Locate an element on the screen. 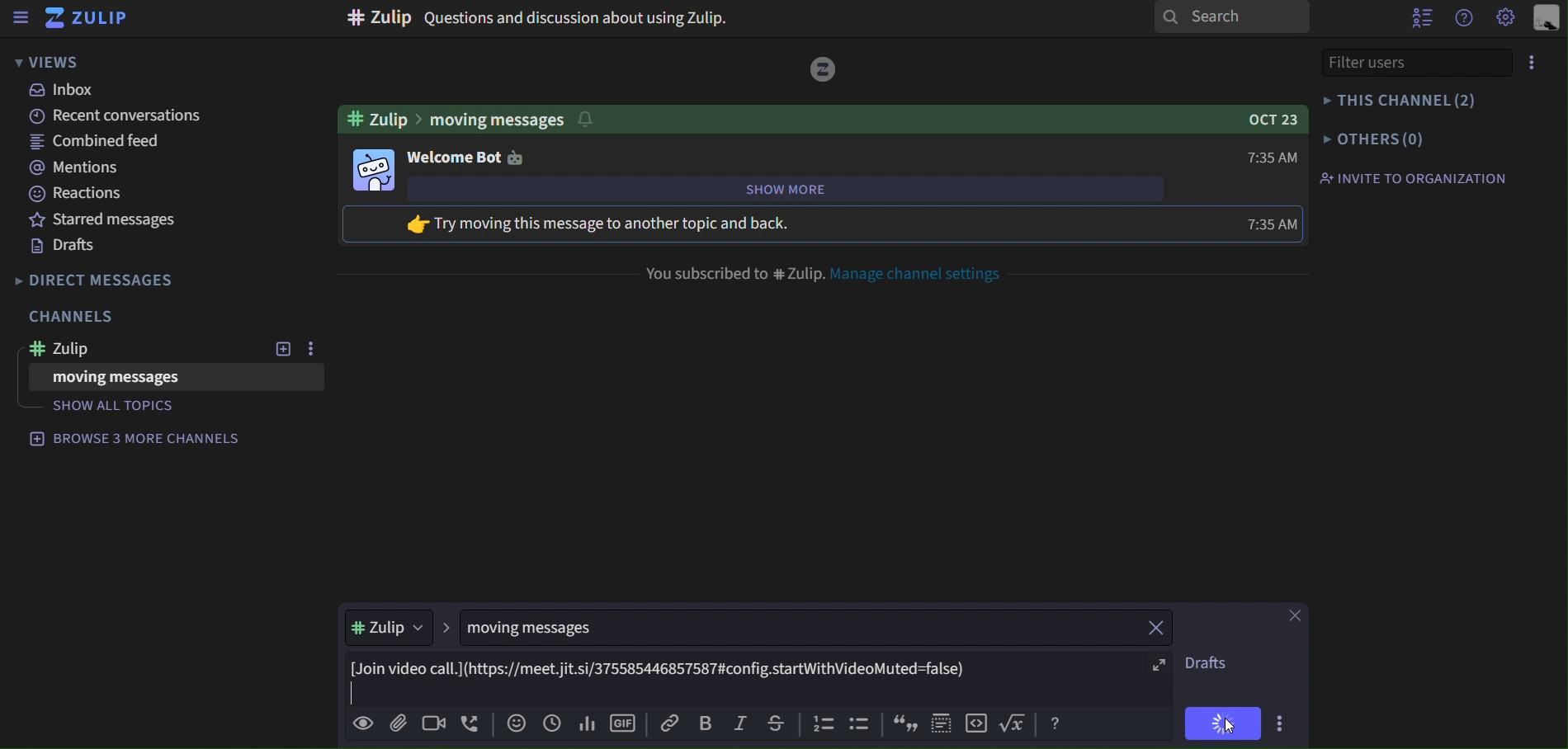  more actions is located at coordinates (1281, 712).